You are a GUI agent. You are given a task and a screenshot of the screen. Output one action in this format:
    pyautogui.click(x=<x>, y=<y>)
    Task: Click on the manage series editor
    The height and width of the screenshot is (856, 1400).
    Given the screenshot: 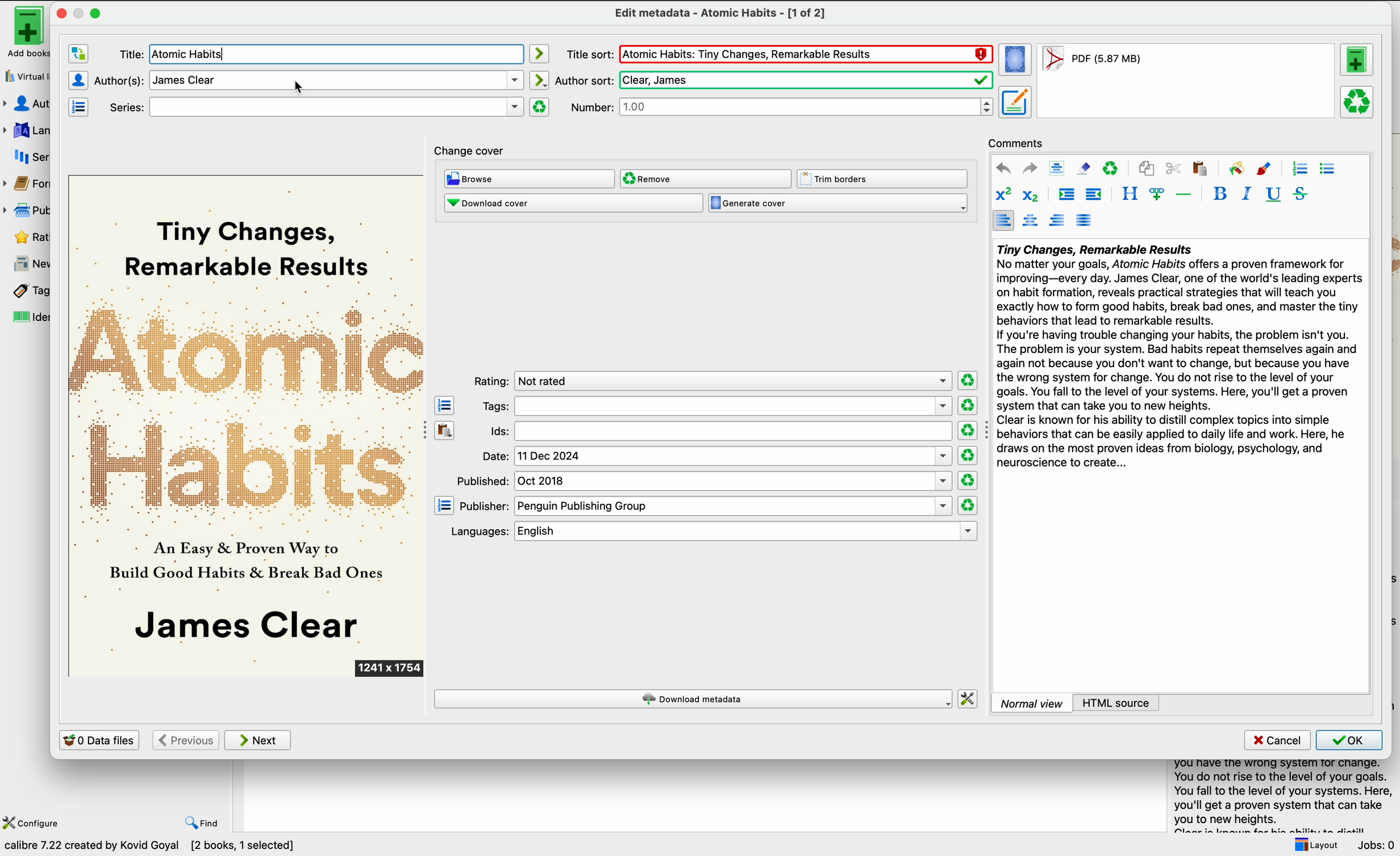 What is the action you would take?
    pyautogui.click(x=81, y=107)
    